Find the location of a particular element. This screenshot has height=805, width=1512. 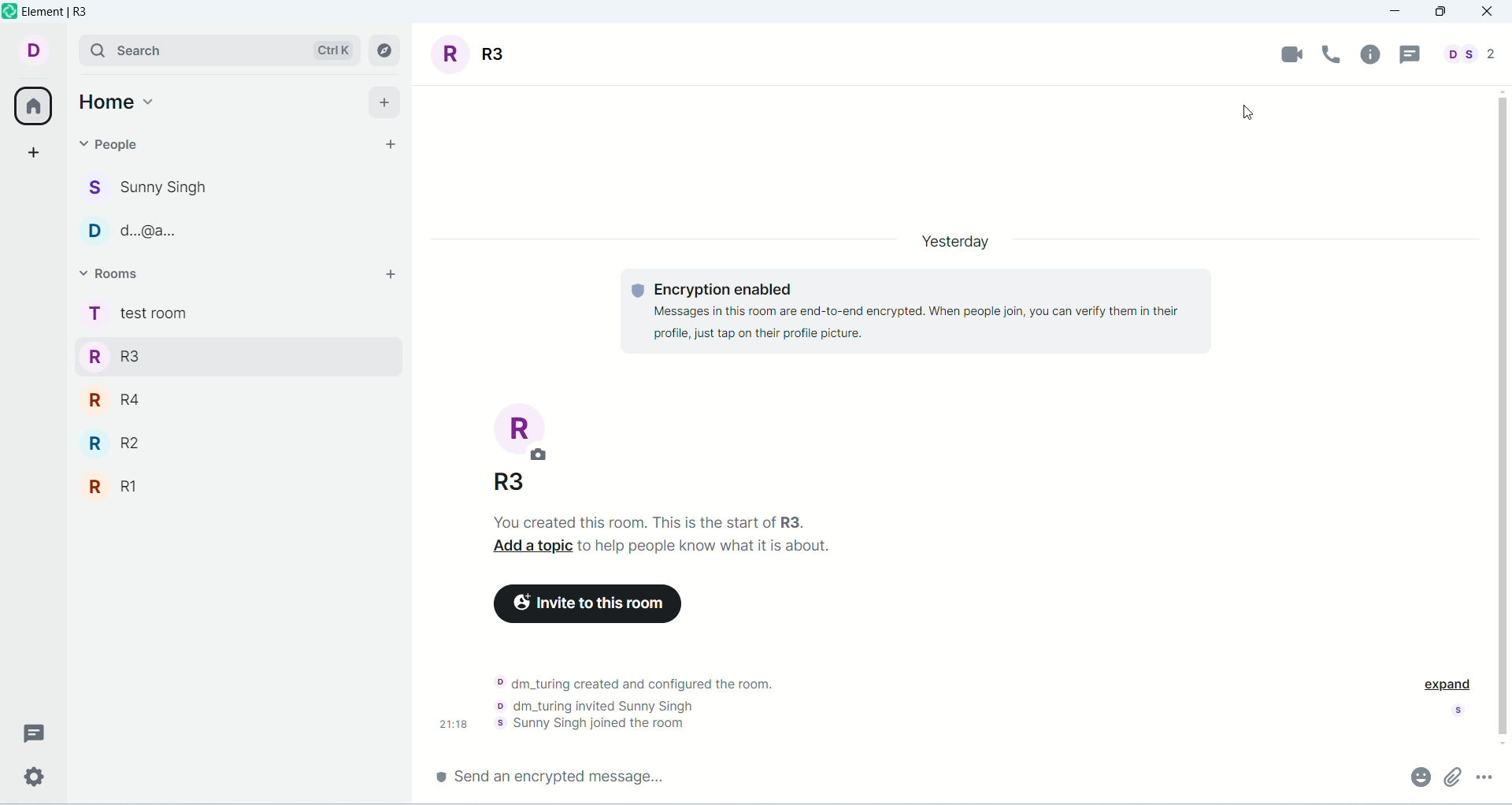

people is located at coordinates (147, 190).